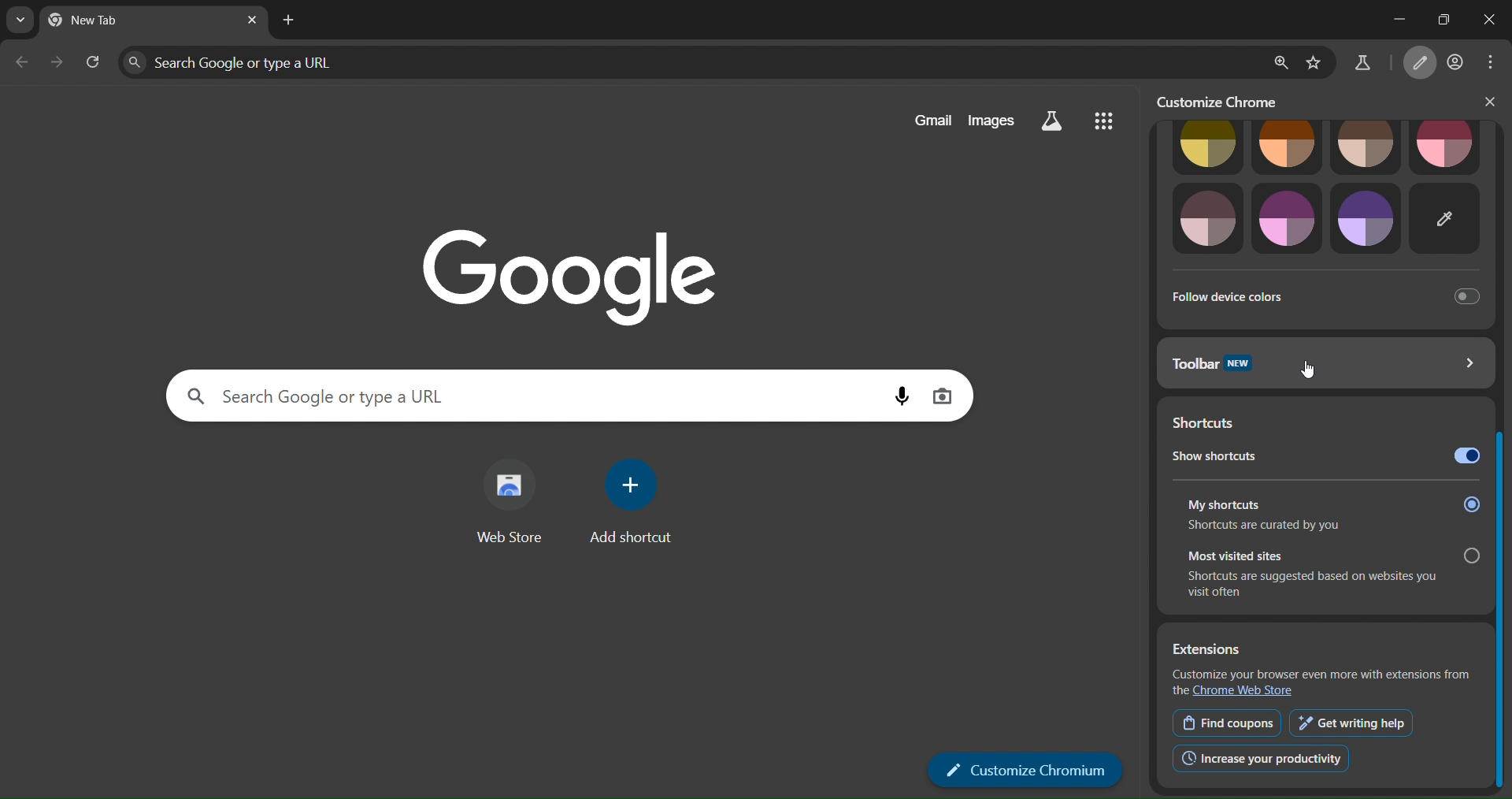 The height and width of the screenshot is (799, 1512). Describe the element at coordinates (1361, 63) in the screenshot. I see `search labs` at that location.